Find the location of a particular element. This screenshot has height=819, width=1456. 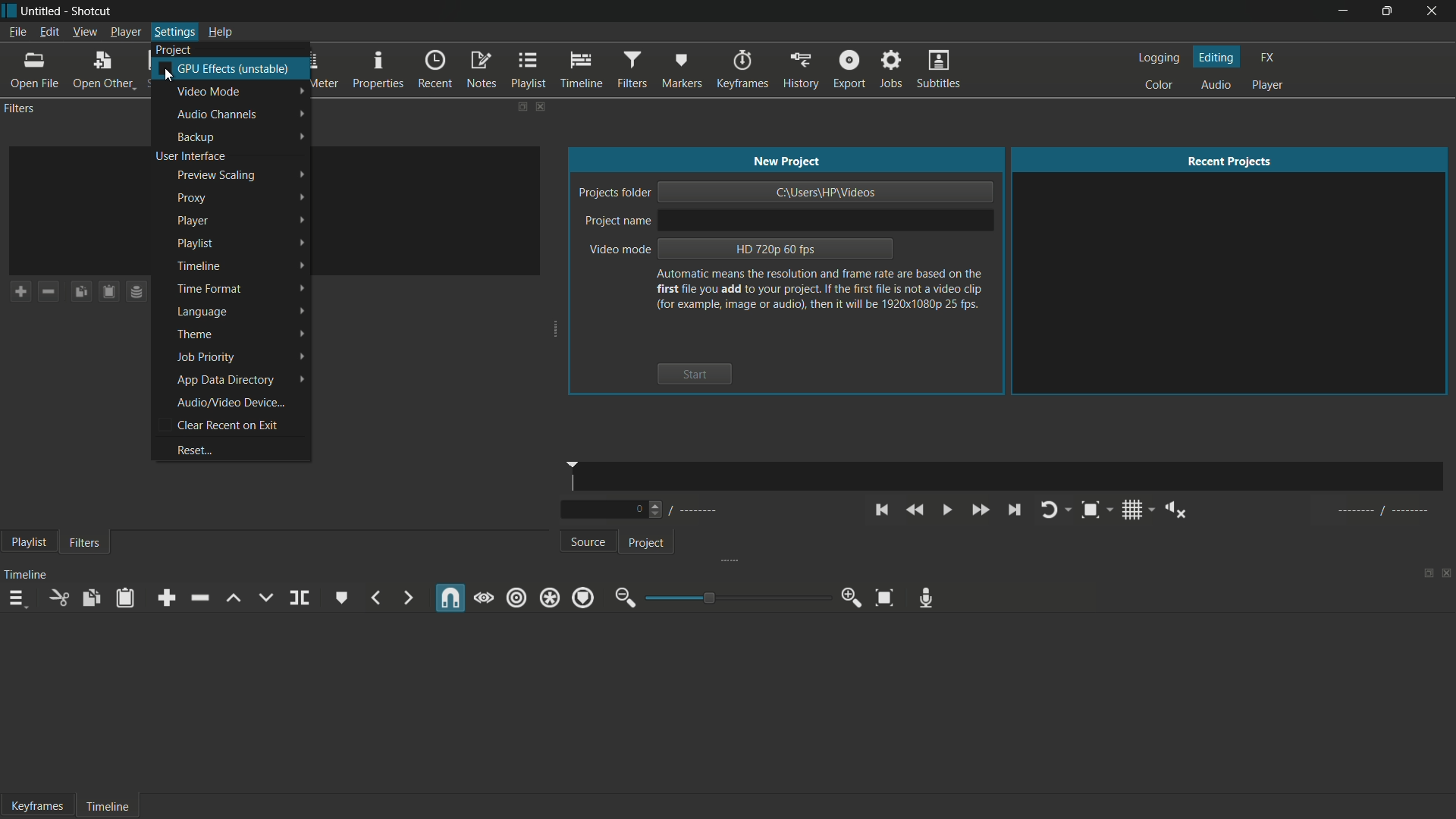

scrub while dragging is located at coordinates (484, 598).